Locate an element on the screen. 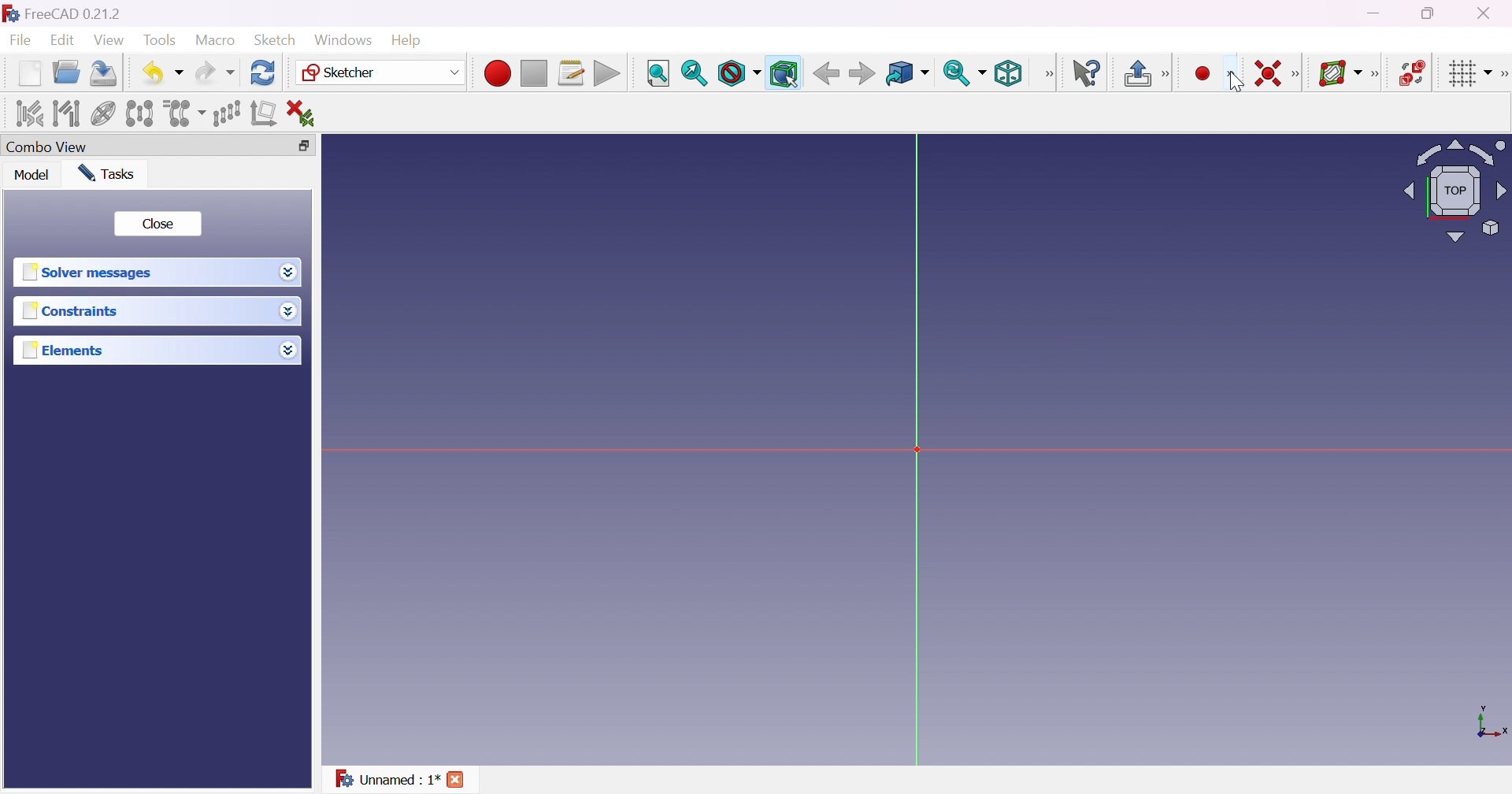 This screenshot has height=794, width=1512. Create point is located at coordinates (1205, 72).